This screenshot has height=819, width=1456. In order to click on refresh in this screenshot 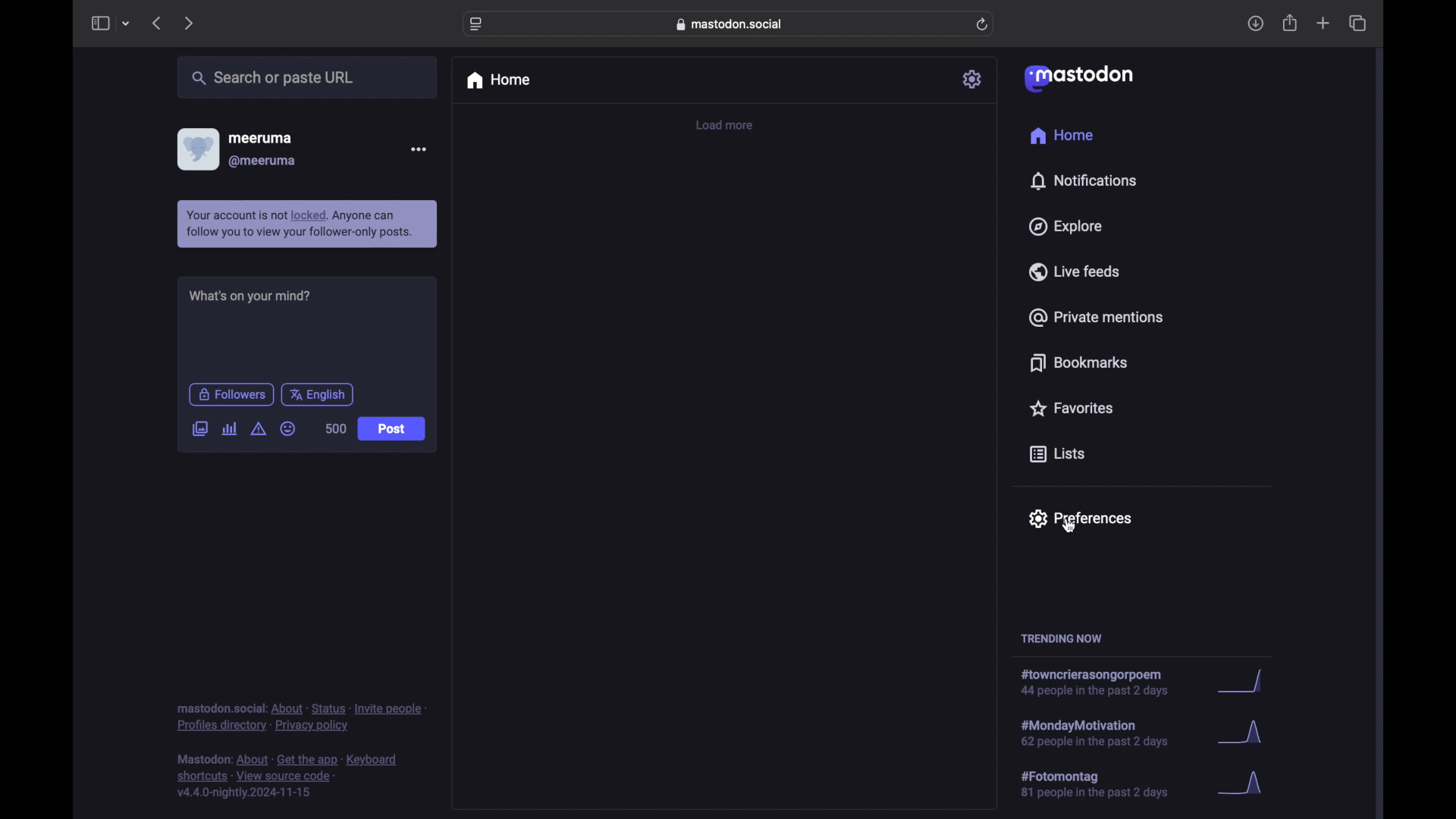, I will do `click(981, 24)`.